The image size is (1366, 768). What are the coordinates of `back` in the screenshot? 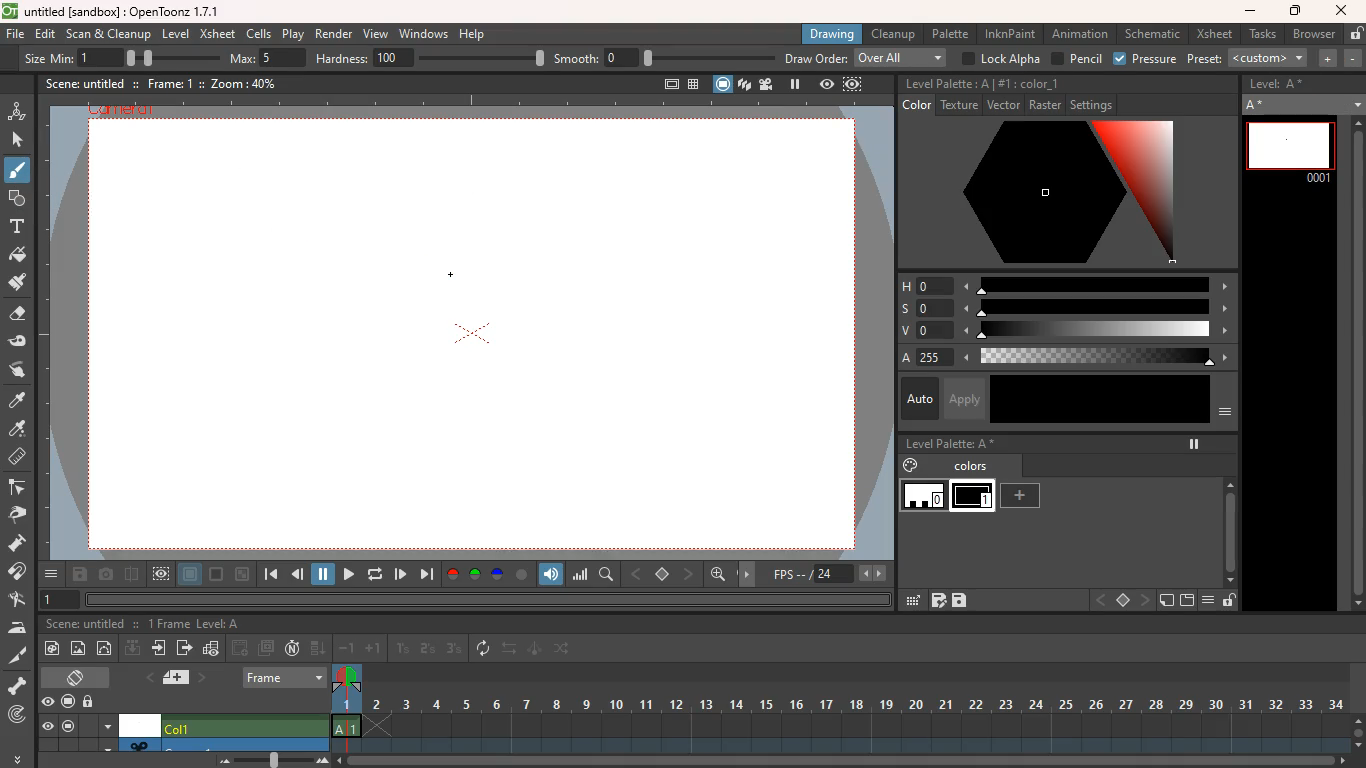 It's located at (638, 572).